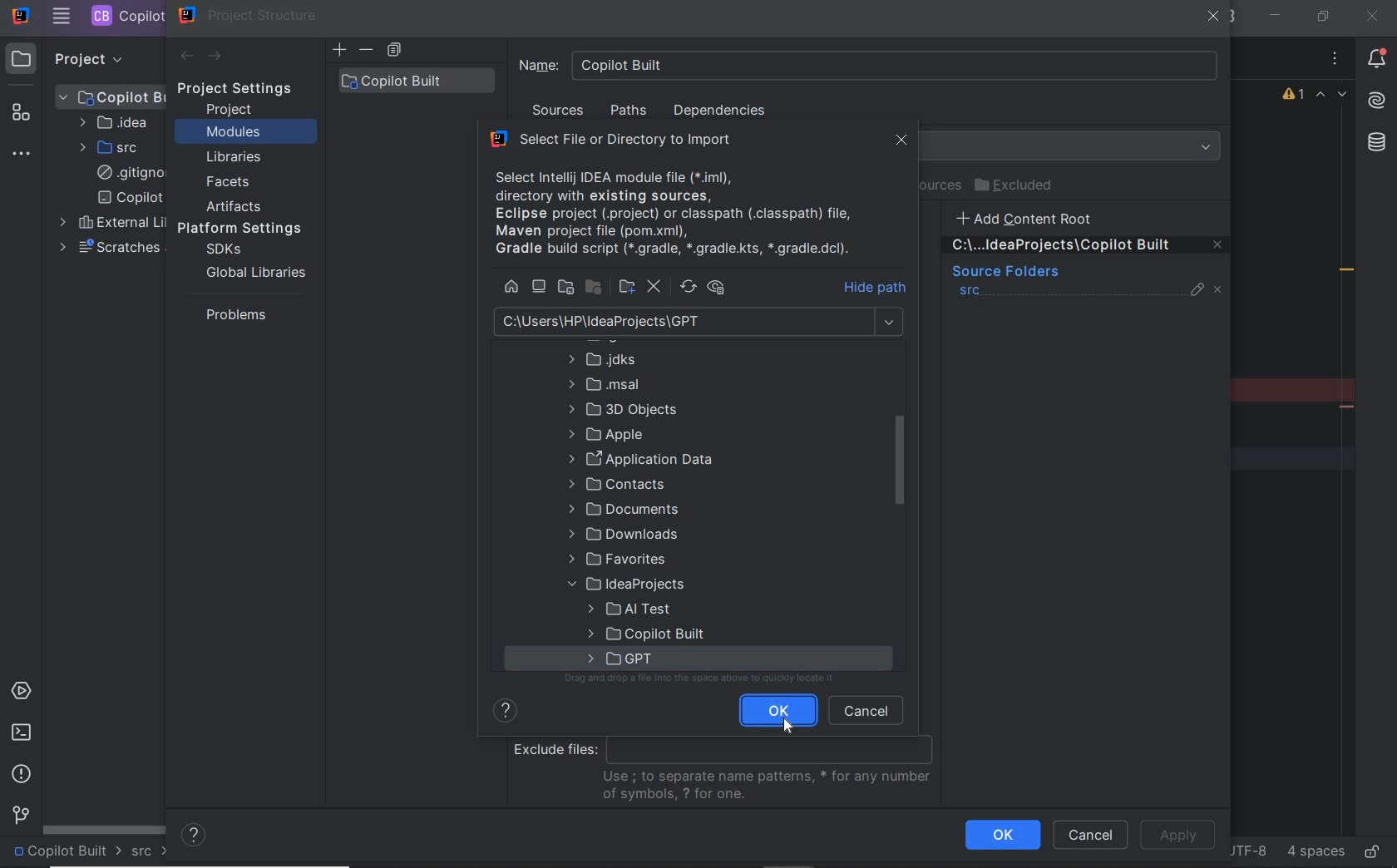 The image size is (1397, 868). Describe the element at coordinates (902, 142) in the screenshot. I see `lose` at that location.